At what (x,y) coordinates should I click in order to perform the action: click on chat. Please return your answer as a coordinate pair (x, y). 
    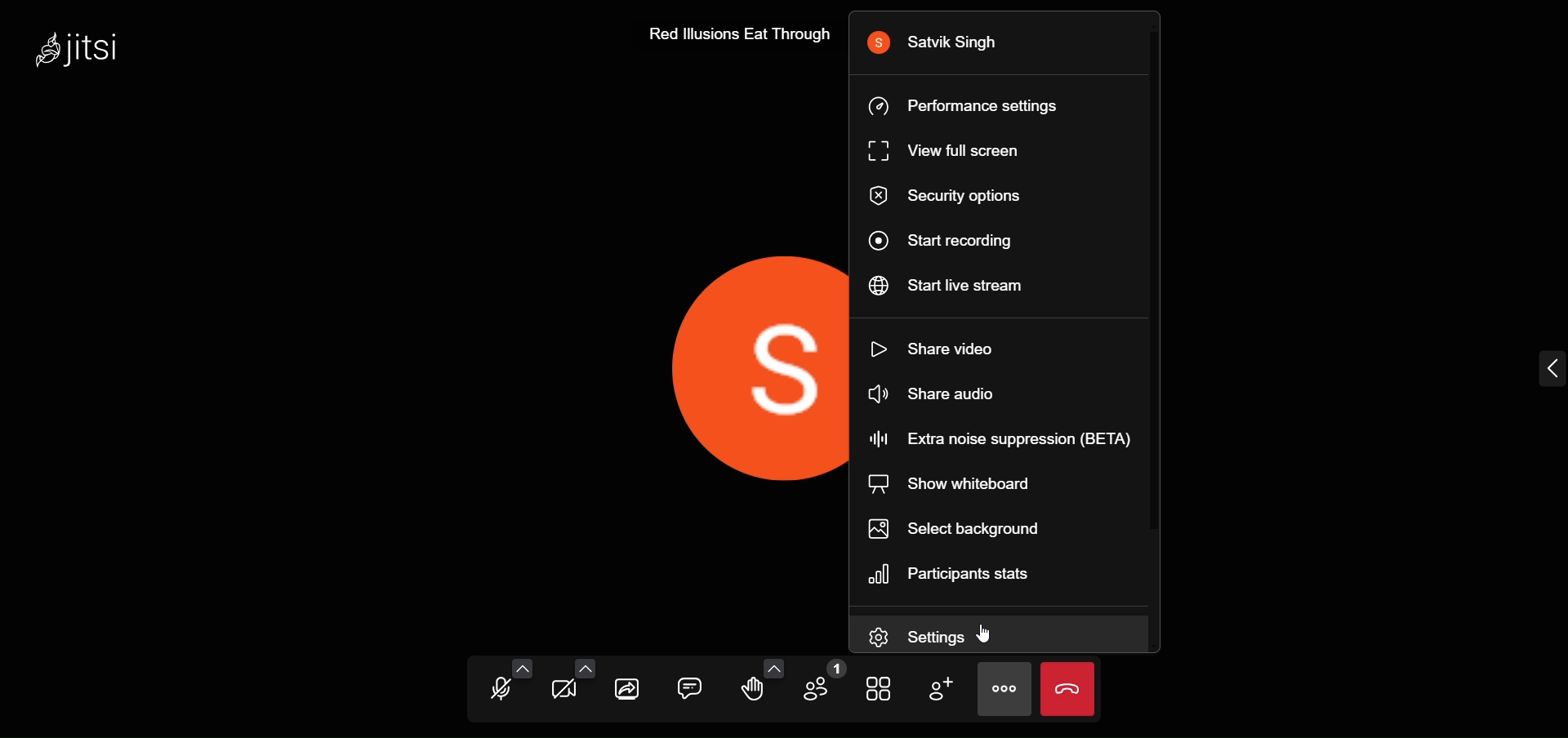
    Looking at the image, I should click on (690, 684).